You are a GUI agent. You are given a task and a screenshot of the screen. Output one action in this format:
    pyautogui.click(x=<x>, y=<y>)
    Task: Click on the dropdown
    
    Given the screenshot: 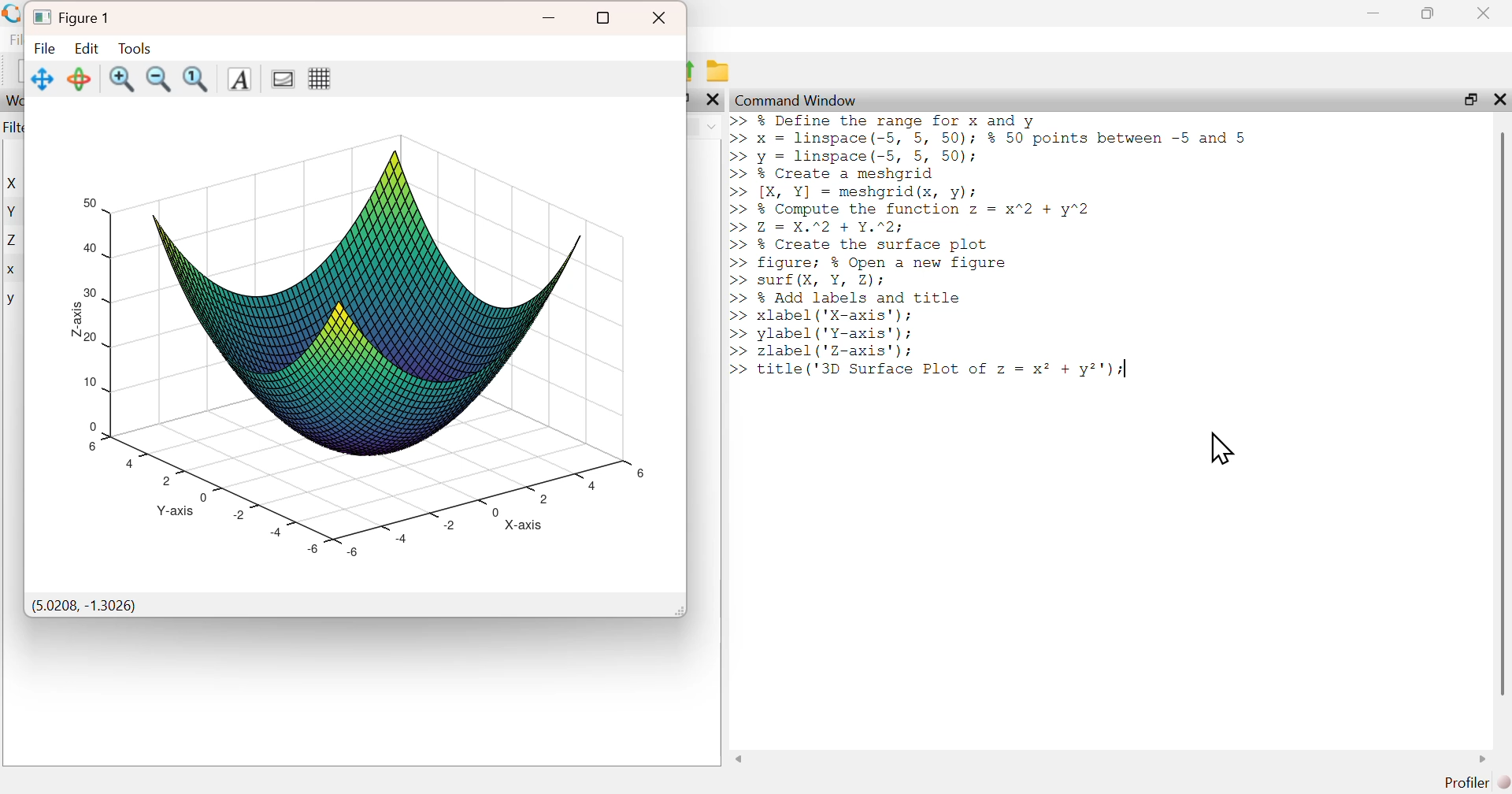 What is the action you would take?
    pyautogui.click(x=711, y=127)
    